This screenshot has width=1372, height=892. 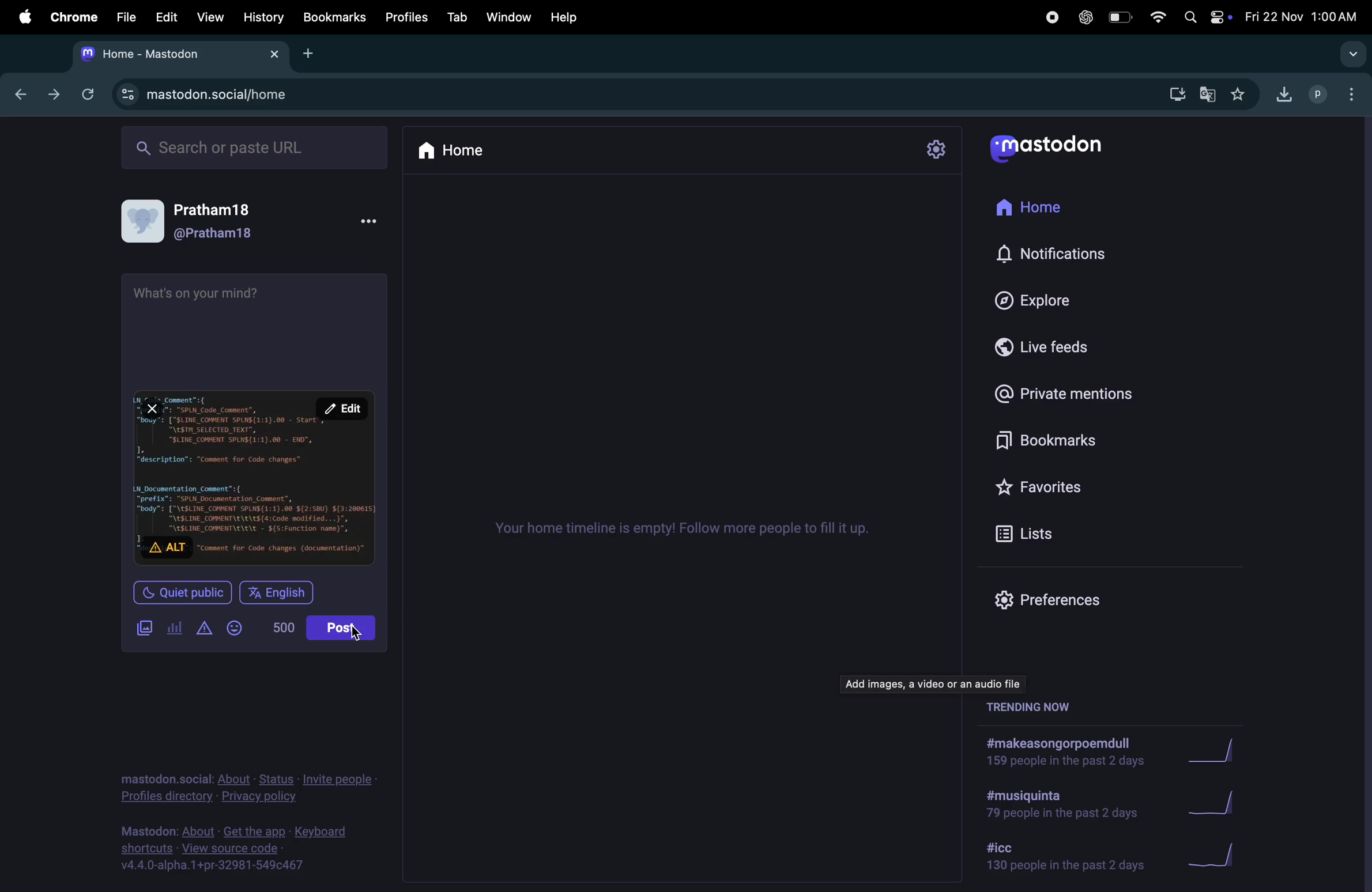 What do you see at coordinates (1220, 16) in the screenshot?
I see `apple widgets` at bounding box center [1220, 16].